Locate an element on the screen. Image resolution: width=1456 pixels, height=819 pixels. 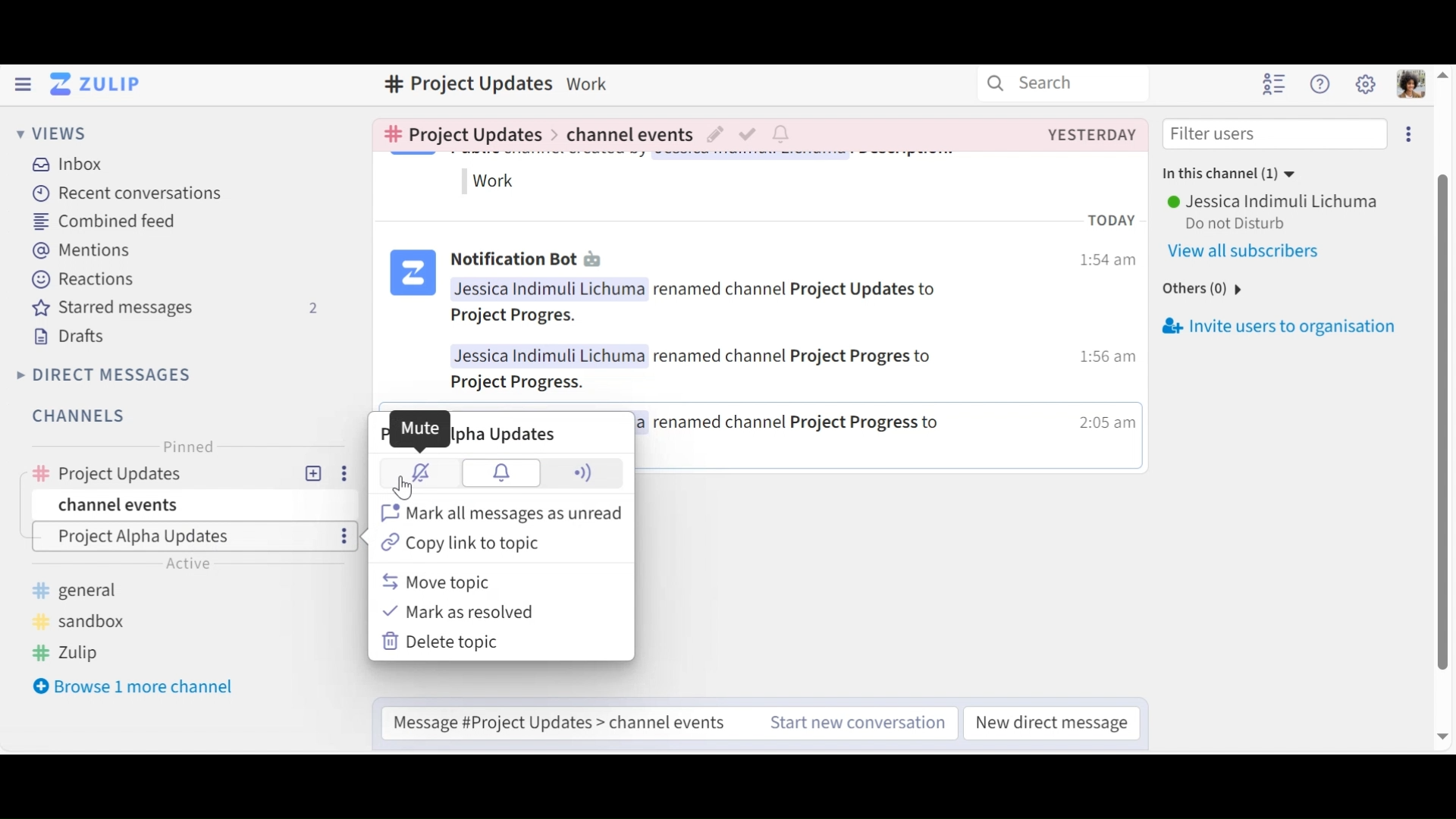
Hide Left Sidebar is located at coordinates (24, 83).